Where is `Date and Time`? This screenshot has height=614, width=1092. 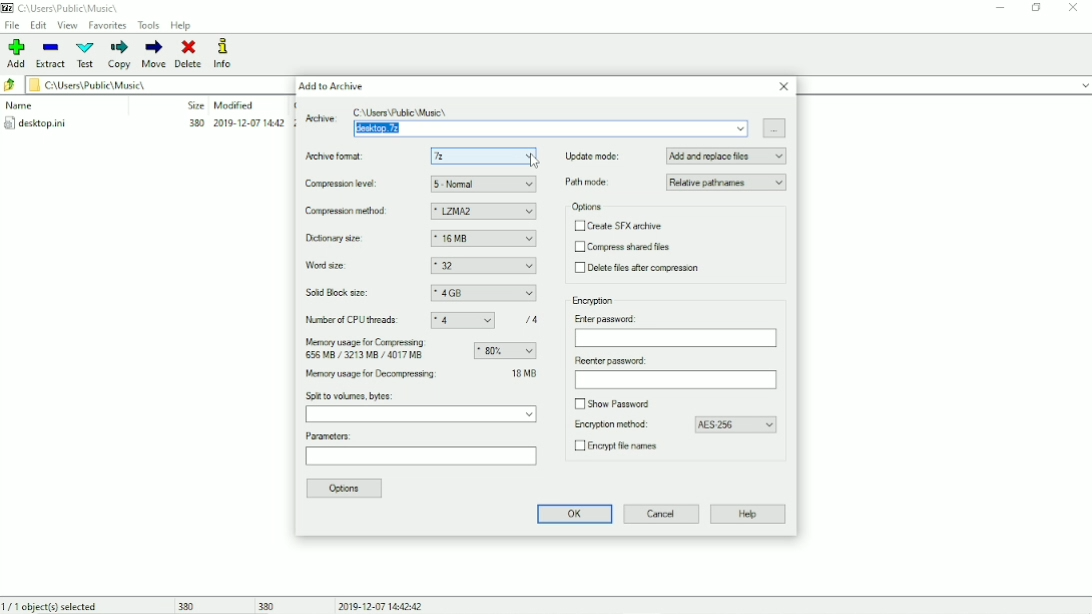 Date and Time is located at coordinates (384, 605).